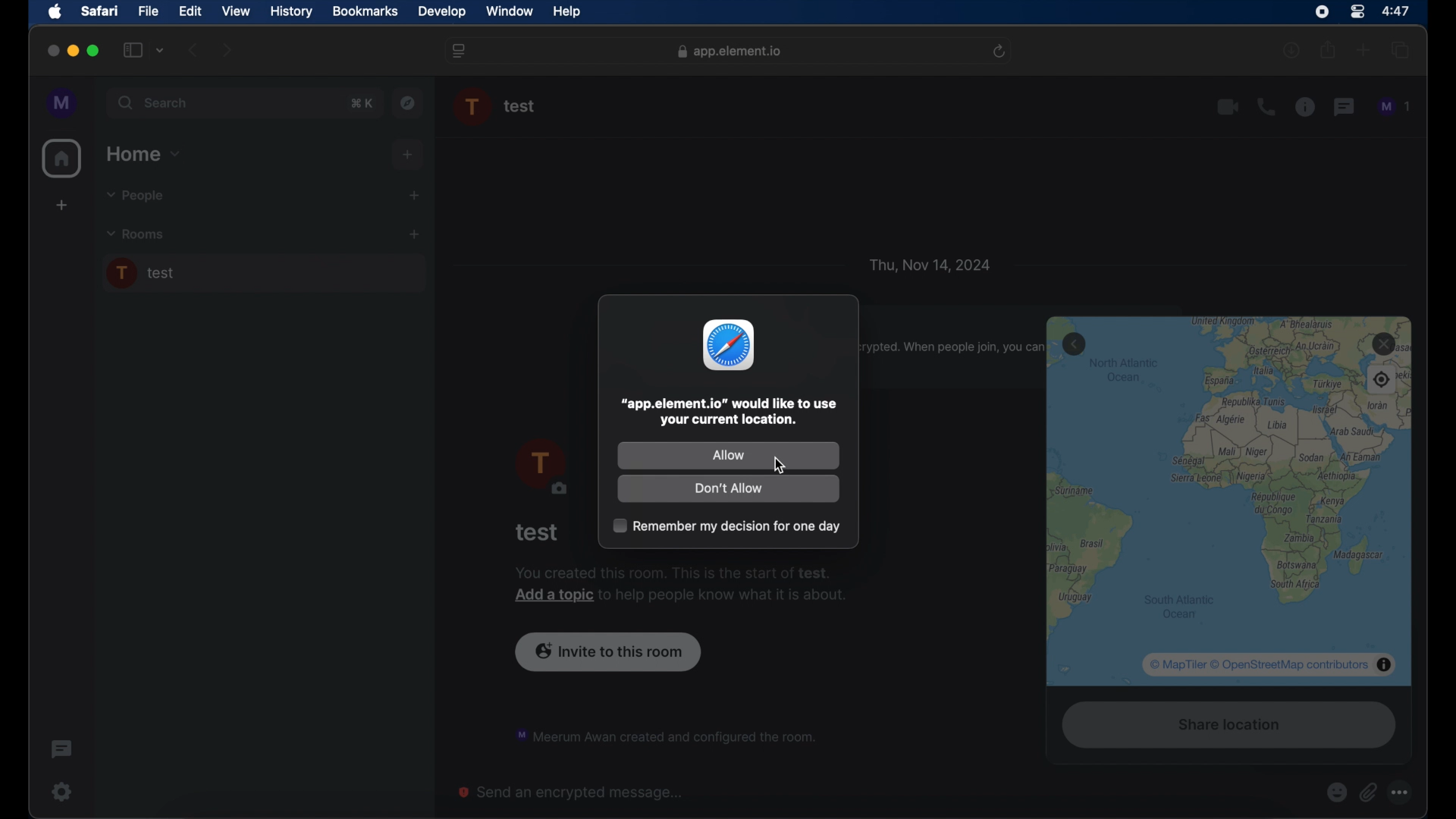 The width and height of the screenshot is (1456, 819). What do you see at coordinates (1345, 107) in the screenshot?
I see `threads` at bounding box center [1345, 107].